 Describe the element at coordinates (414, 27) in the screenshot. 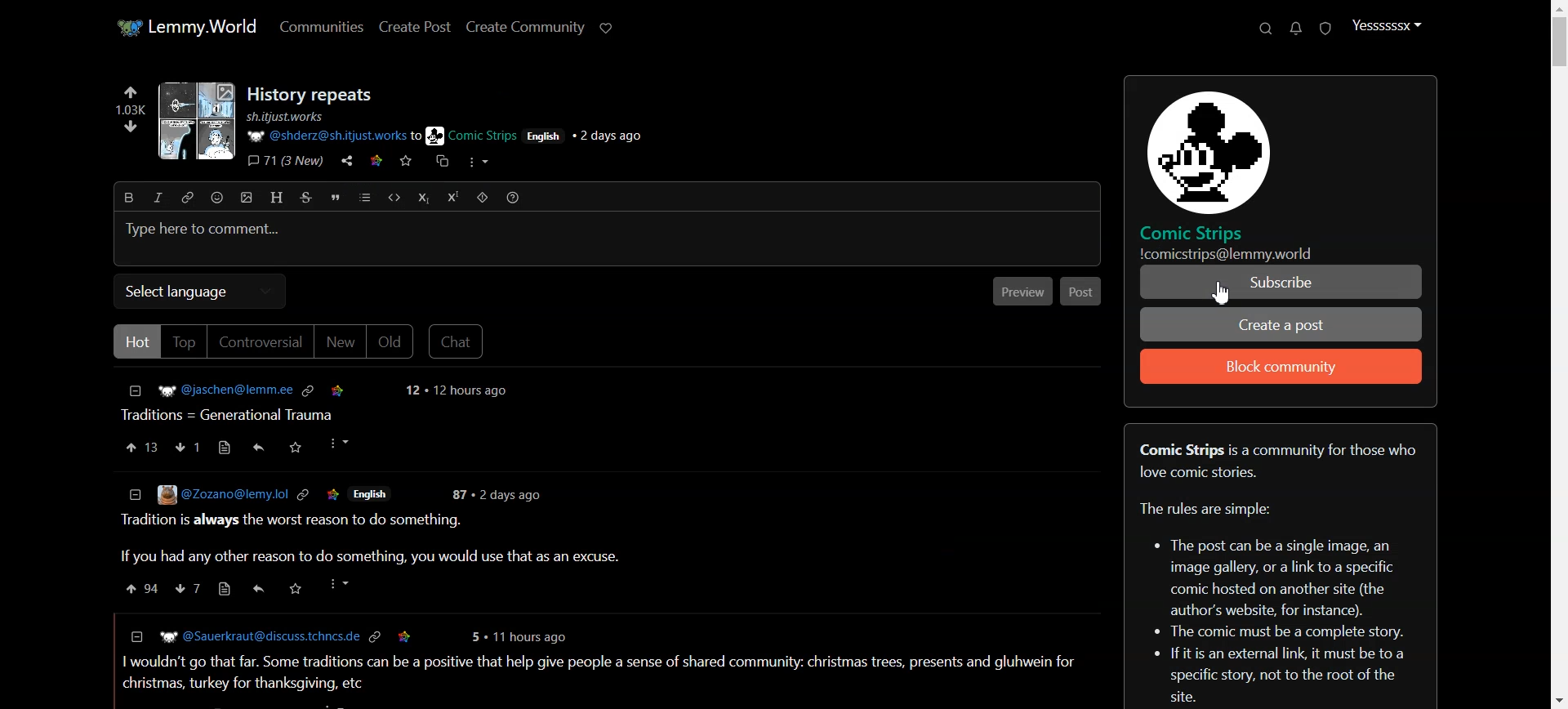

I see `Create Post` at that location.